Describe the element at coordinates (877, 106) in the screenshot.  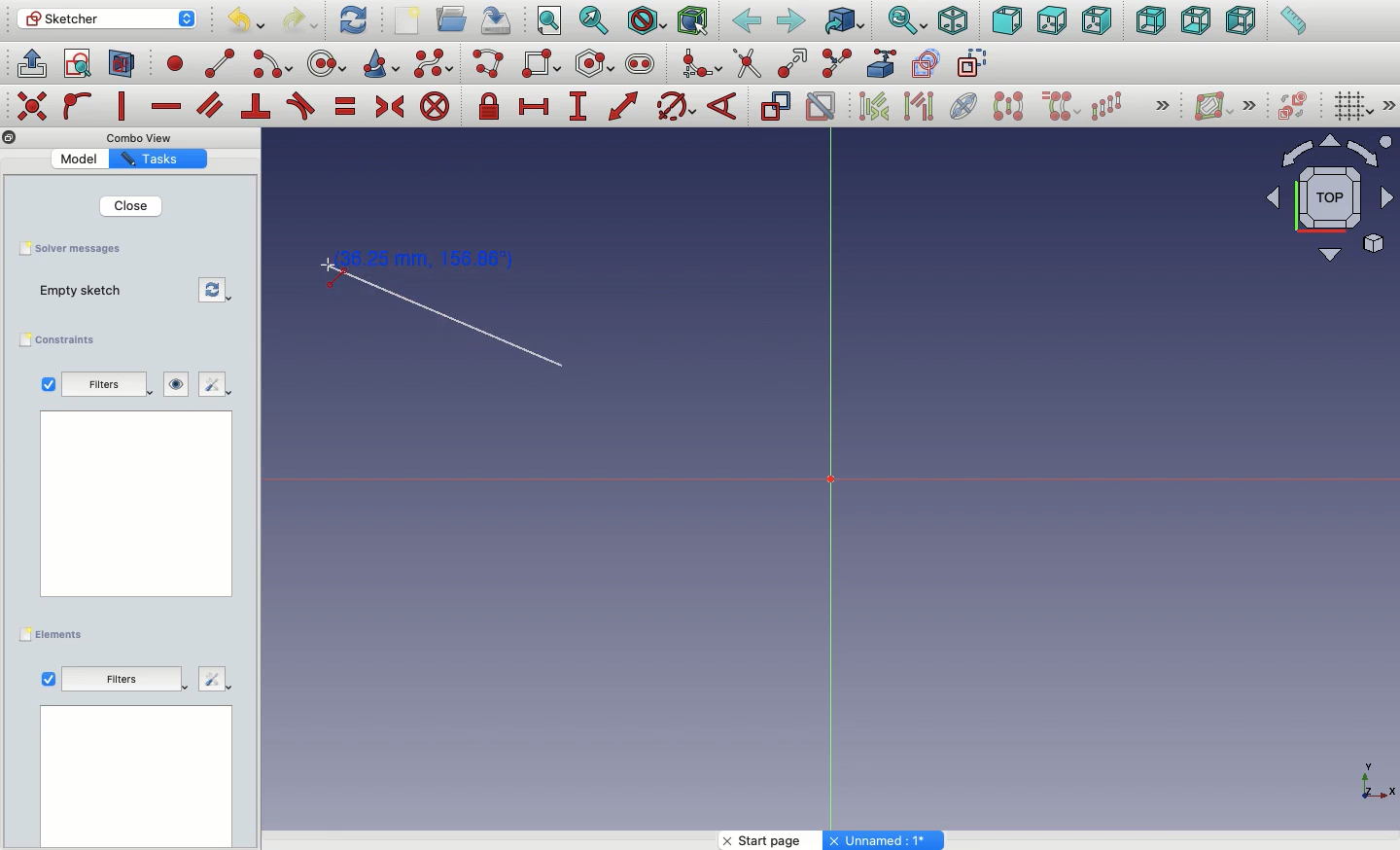
I see `Associated constraints` at that location.